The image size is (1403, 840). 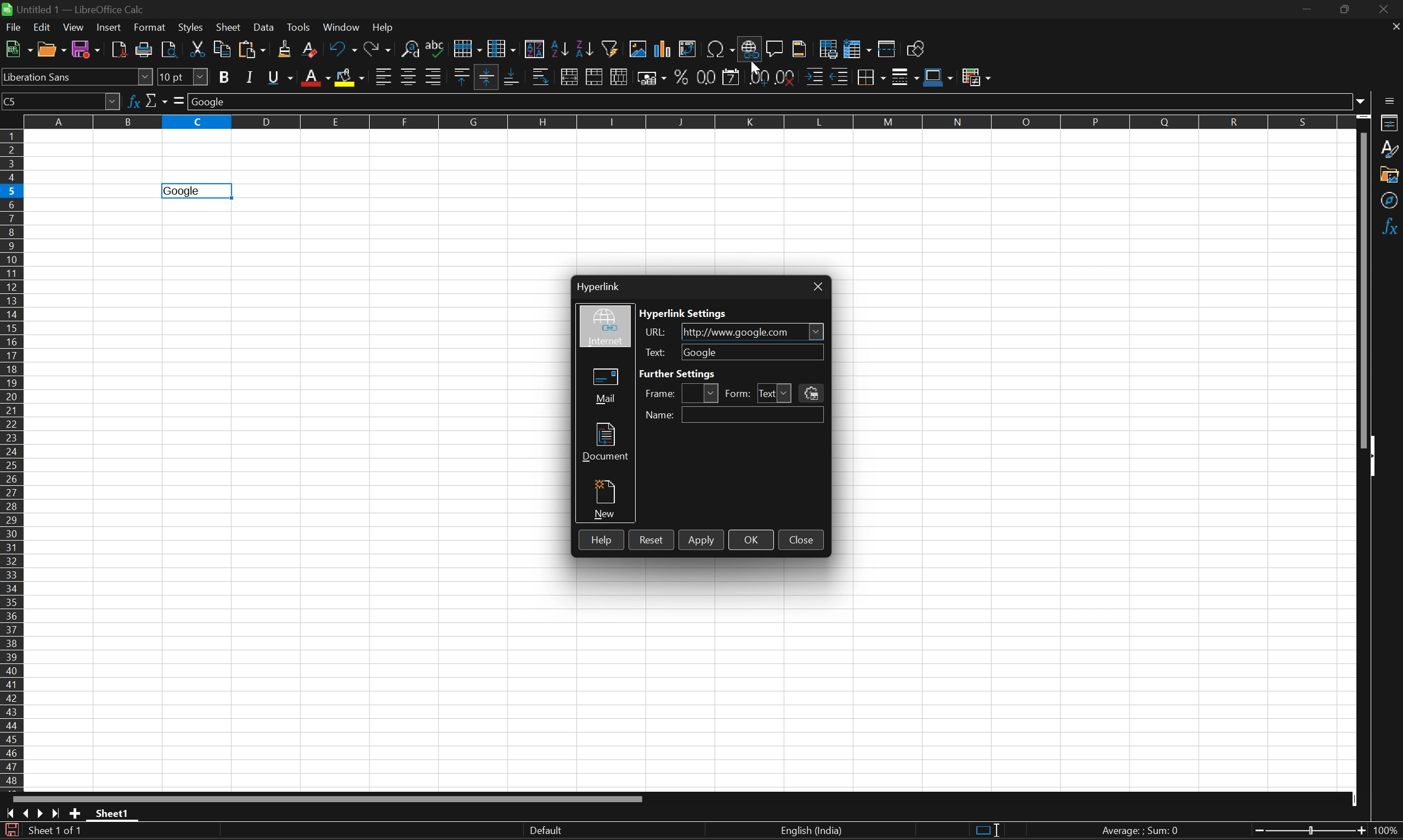 What do you see at coordinates (1345, 11) in the screenshot?
I see `Restore down` at bounding box center [1345, 11].